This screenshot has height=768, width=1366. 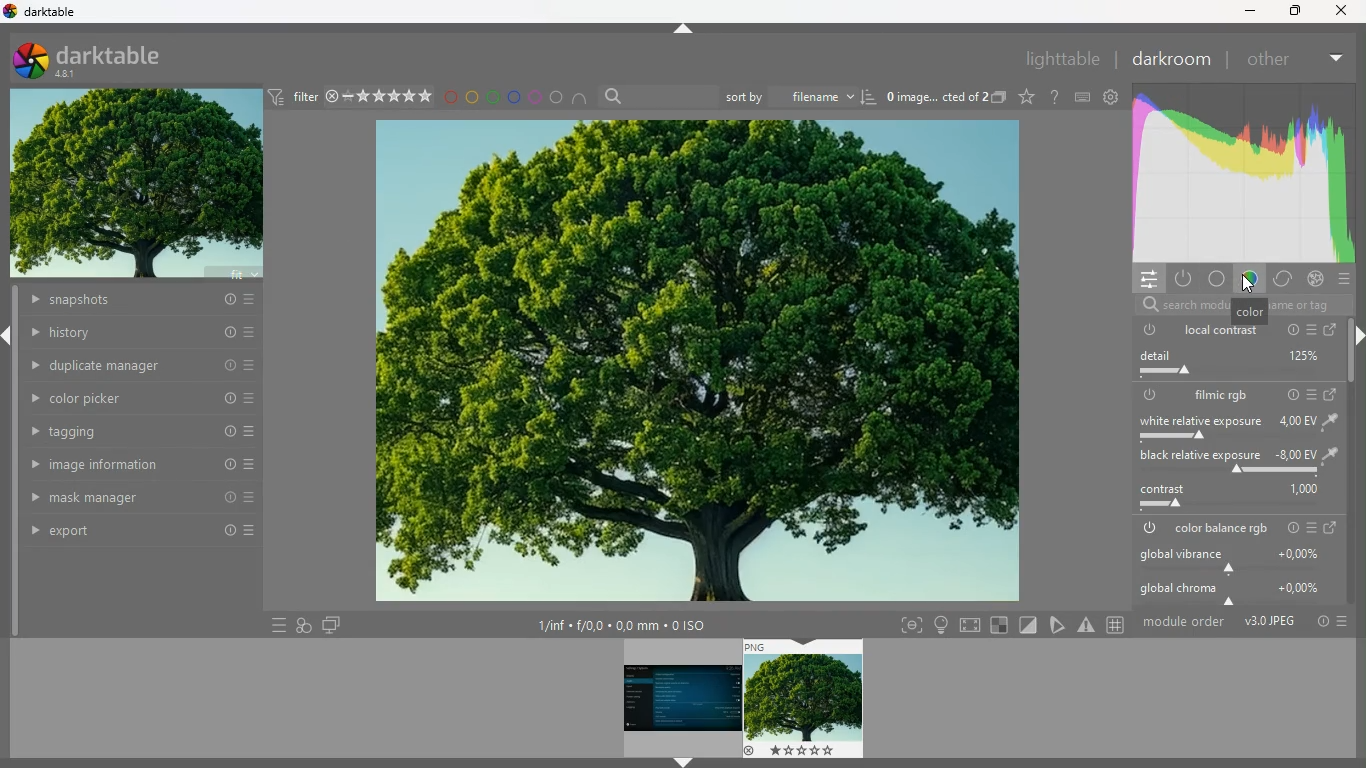 What do you see at coordinates (1238, 590) in the screenshot?
I see `global chroma` at bounding box center [1238, 590].